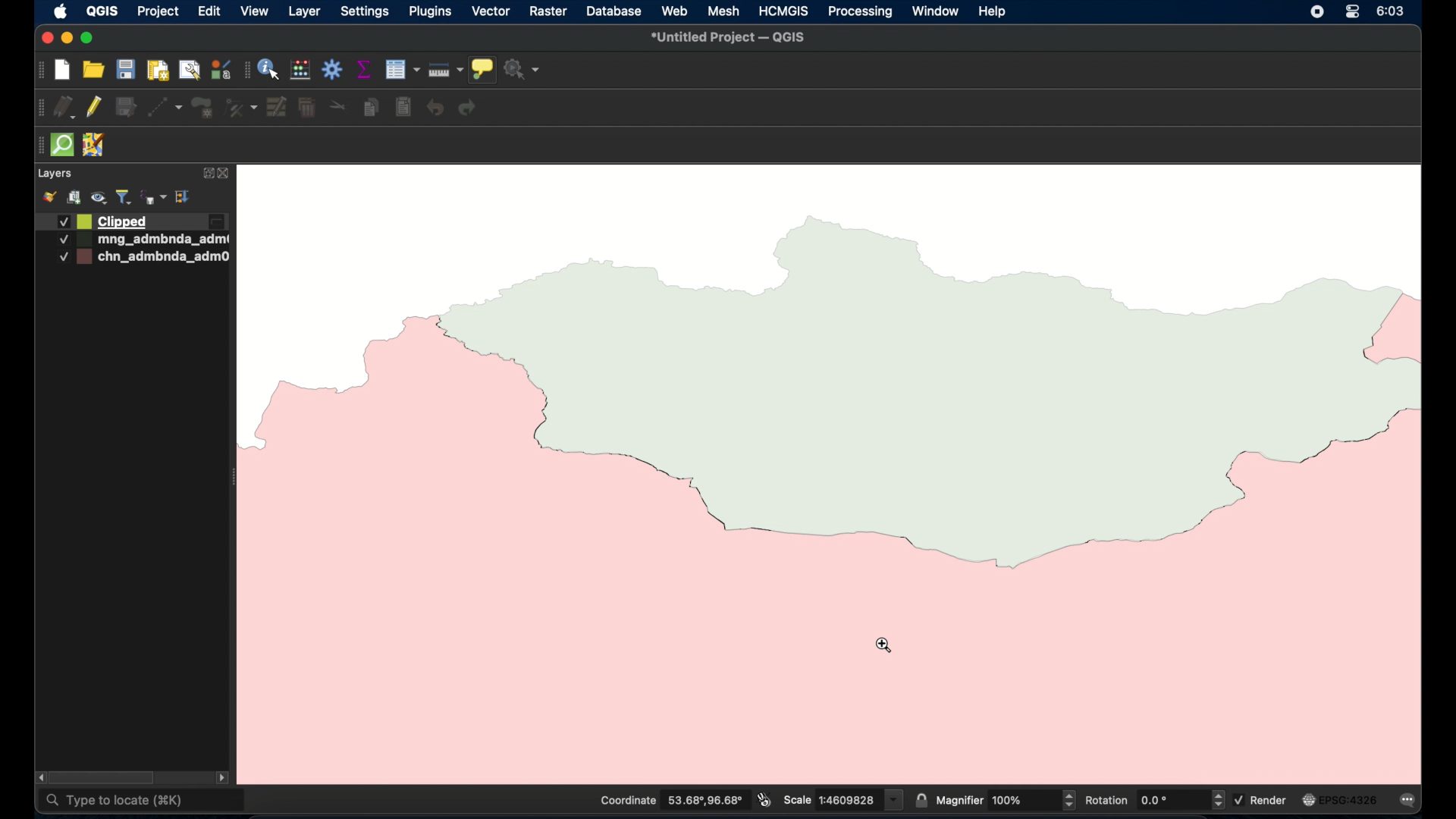 Image resolution: width=1456 pixels, height=819 pixels. I want to click on paste features, so click(404, 108).